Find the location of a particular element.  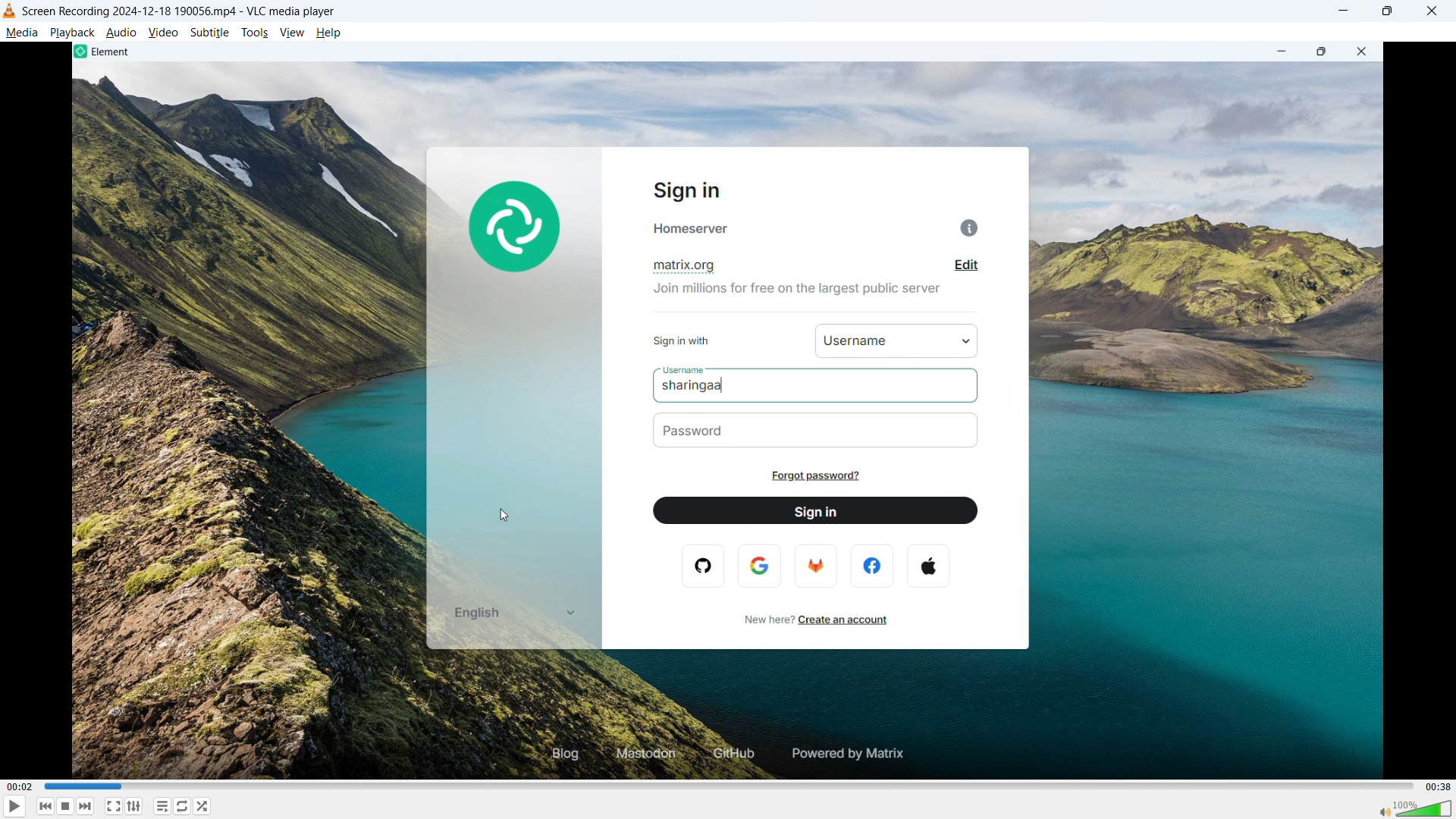

Username is located at coordinates (852, 341).